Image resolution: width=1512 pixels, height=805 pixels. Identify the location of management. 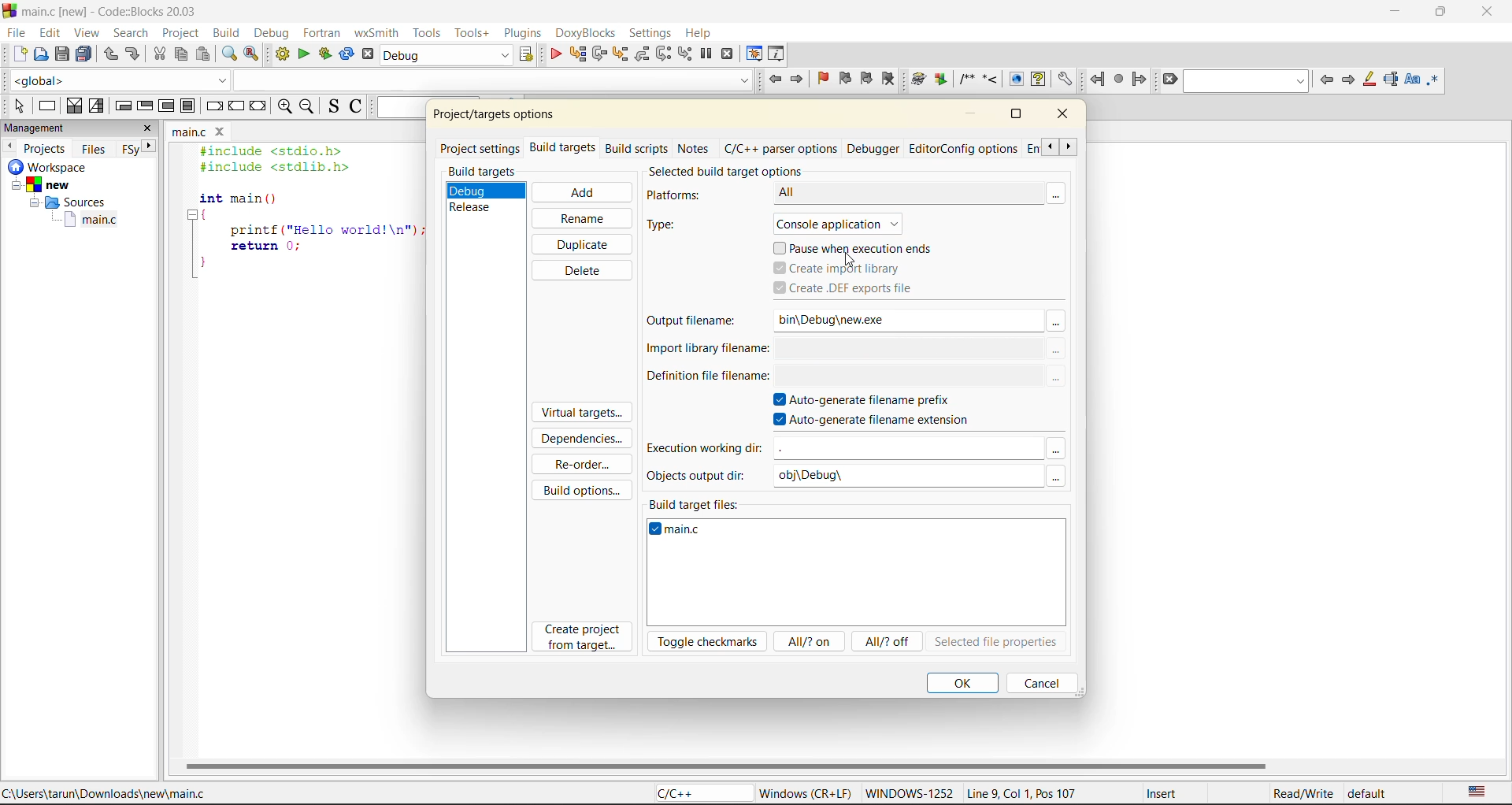
(37, 128).